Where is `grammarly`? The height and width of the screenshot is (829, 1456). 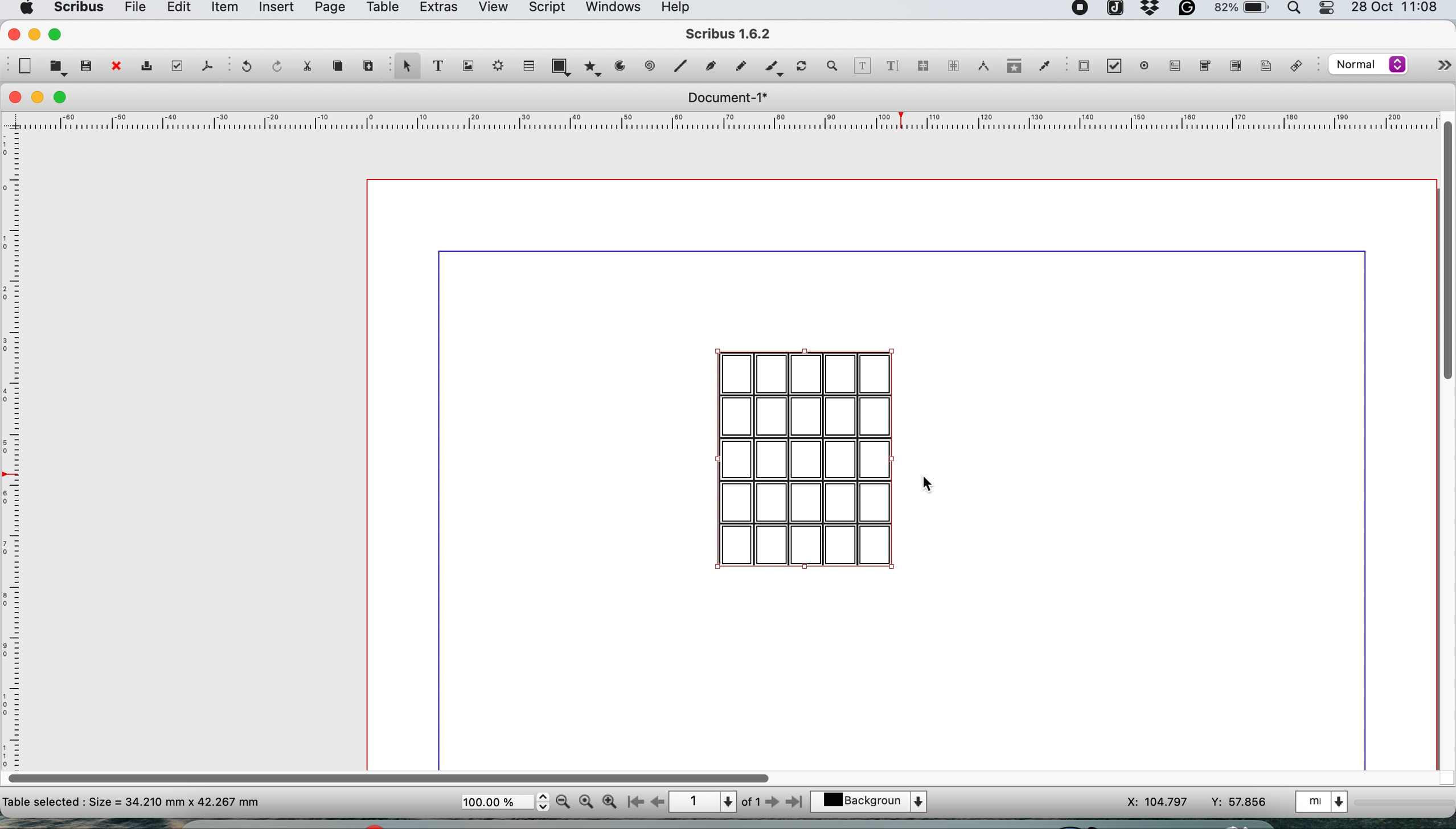 grammarly is located at coordinates (1189, 11).